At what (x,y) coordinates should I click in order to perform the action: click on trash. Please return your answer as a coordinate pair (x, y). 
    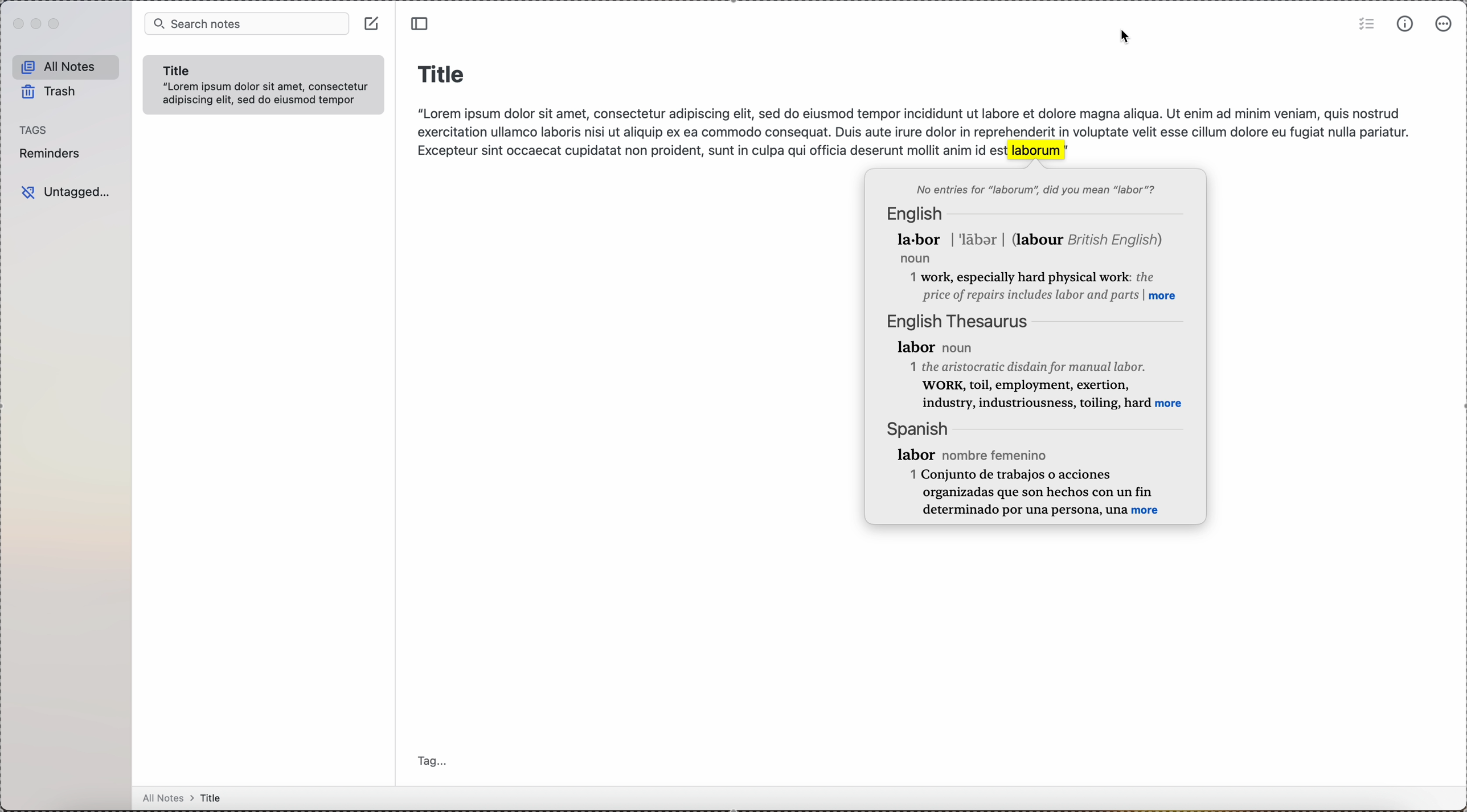
    Looking at the image, I should click on (54, 91).